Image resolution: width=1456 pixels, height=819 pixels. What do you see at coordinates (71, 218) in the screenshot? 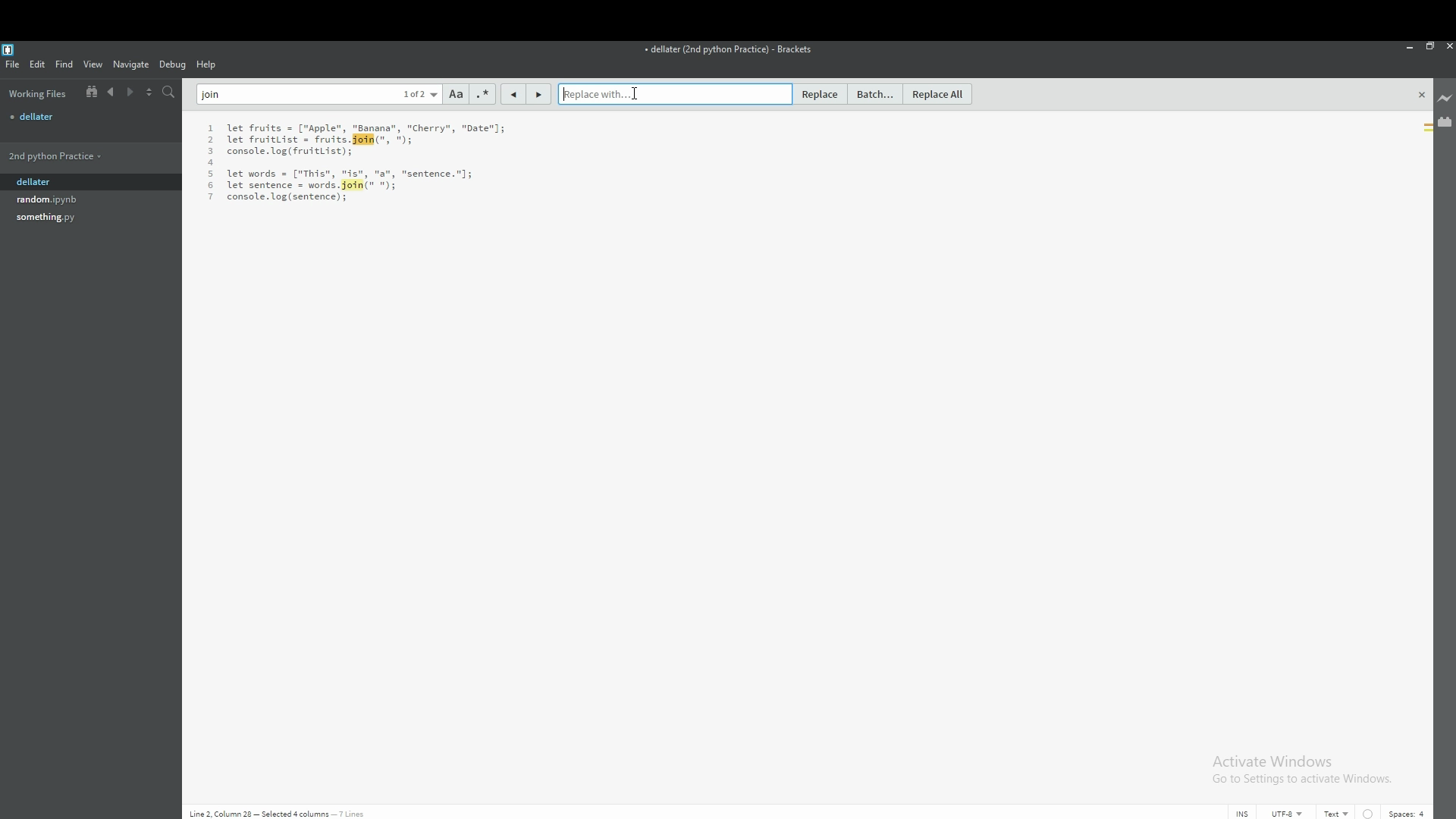
I see `file` at bounding box center [71, 218].